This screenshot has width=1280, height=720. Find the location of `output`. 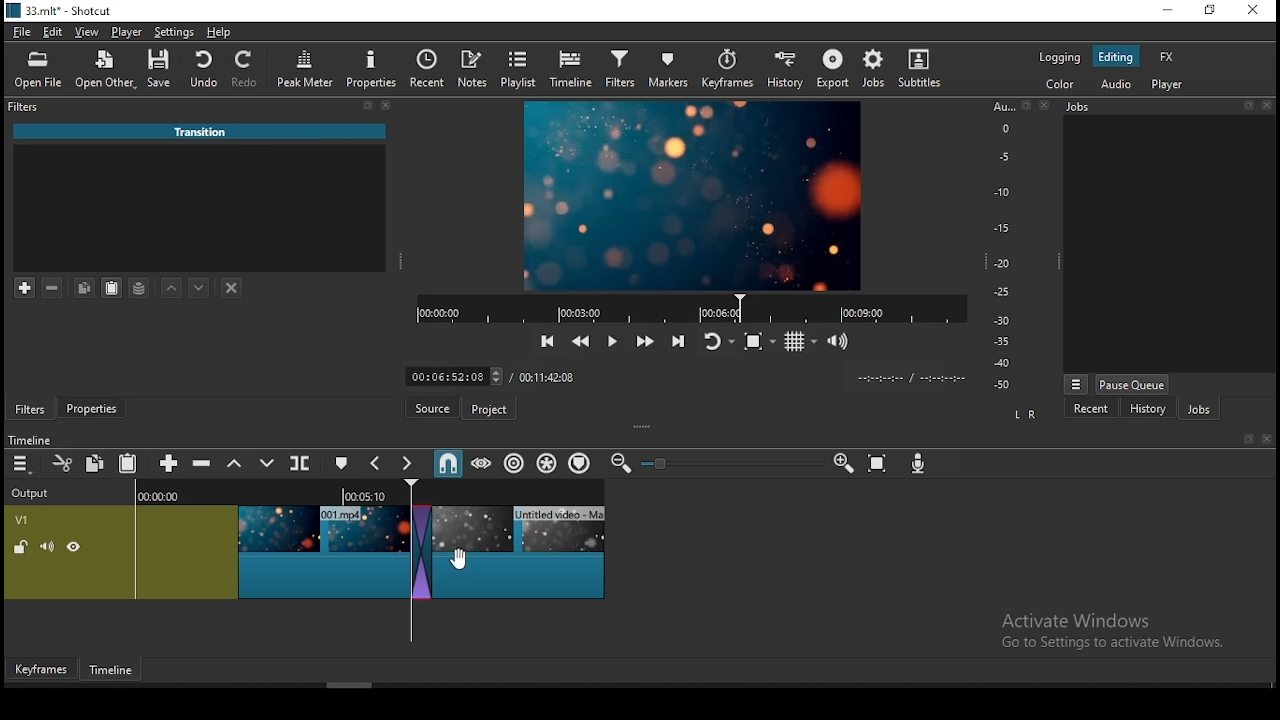

output is located at coordinates (33, 495).